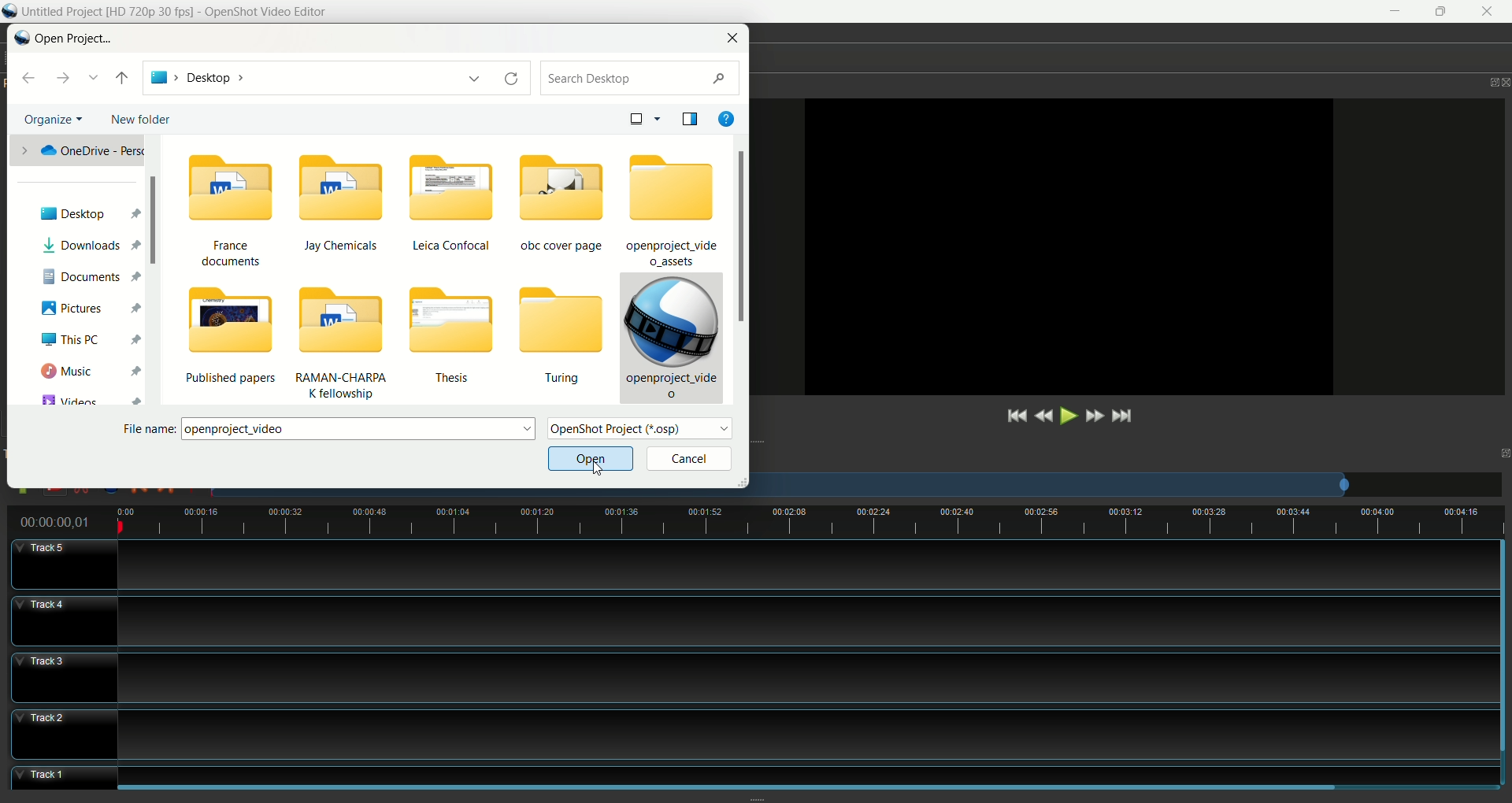  I want to click on openproject vide
0_assets, so click(673, 210).